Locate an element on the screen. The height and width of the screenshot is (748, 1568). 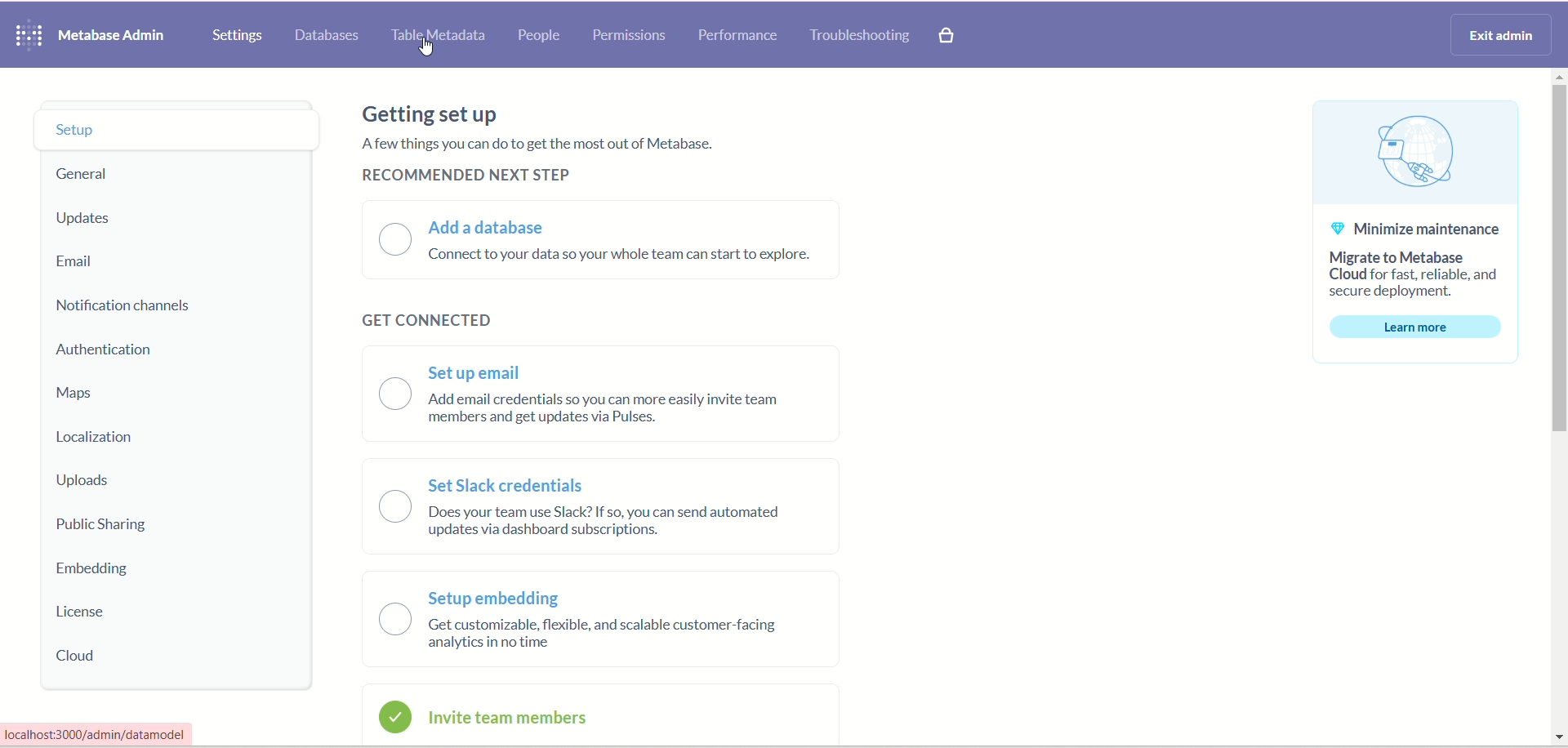
maps is located at coordinates (79, 394).